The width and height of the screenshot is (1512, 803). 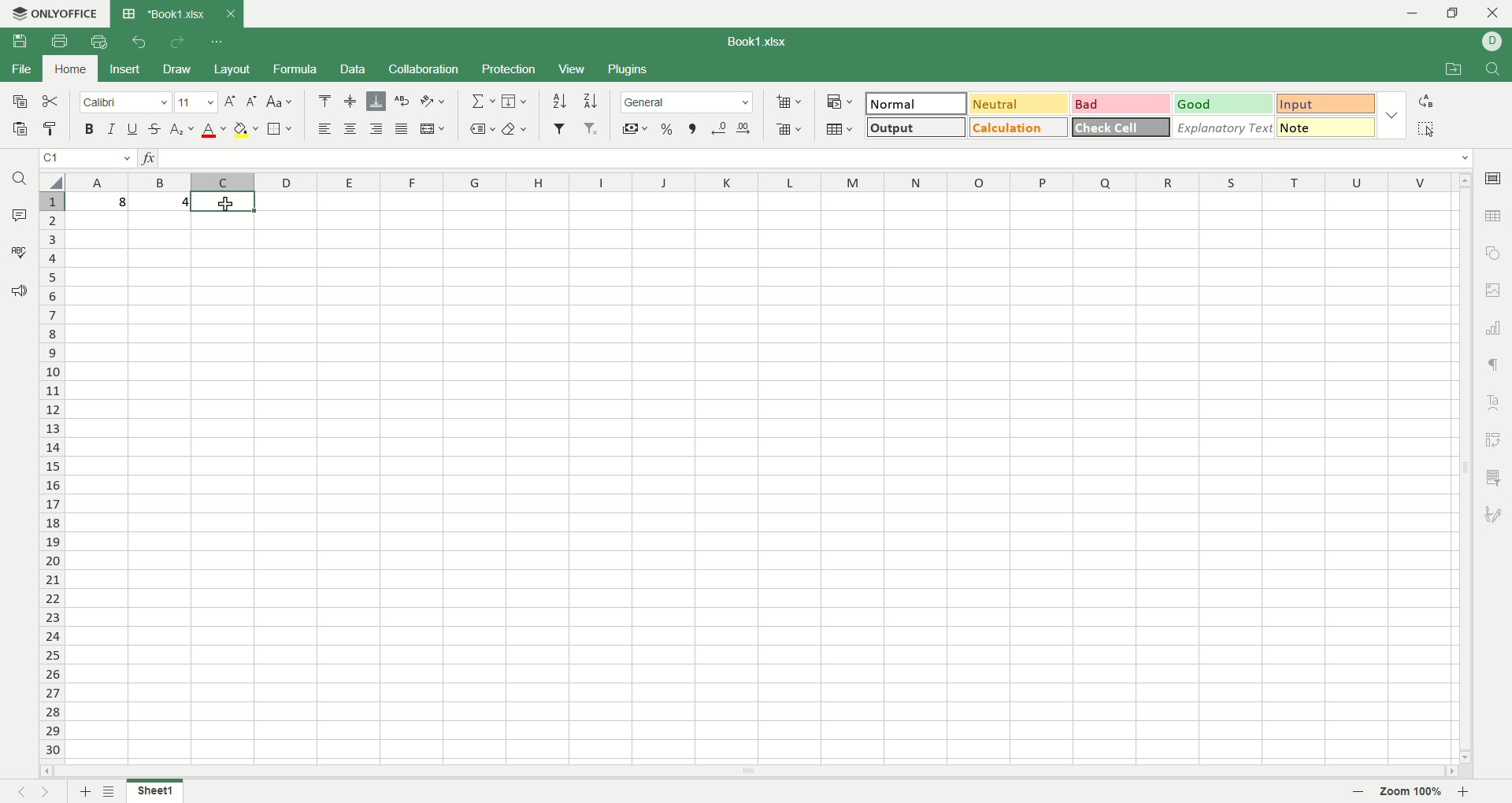 What do you see at coordinates (126, 102) in the screenshot?
I see `font name` at bounding box center [126, 102].